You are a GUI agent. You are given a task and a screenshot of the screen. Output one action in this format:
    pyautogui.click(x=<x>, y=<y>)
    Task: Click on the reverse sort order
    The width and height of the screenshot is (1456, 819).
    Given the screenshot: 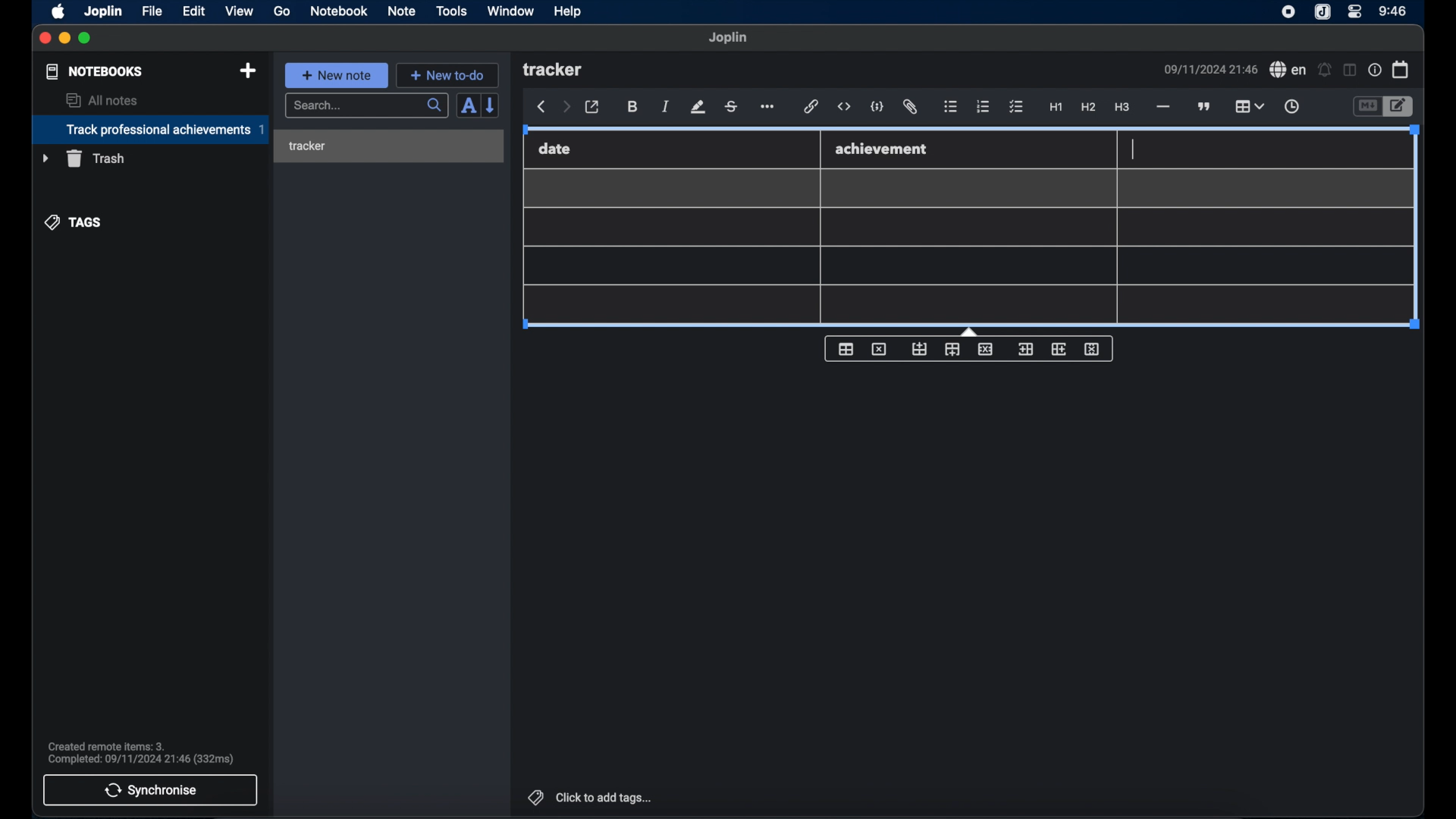 What is the action you would take?
    pyautogui.click(x=492, y=105)
    